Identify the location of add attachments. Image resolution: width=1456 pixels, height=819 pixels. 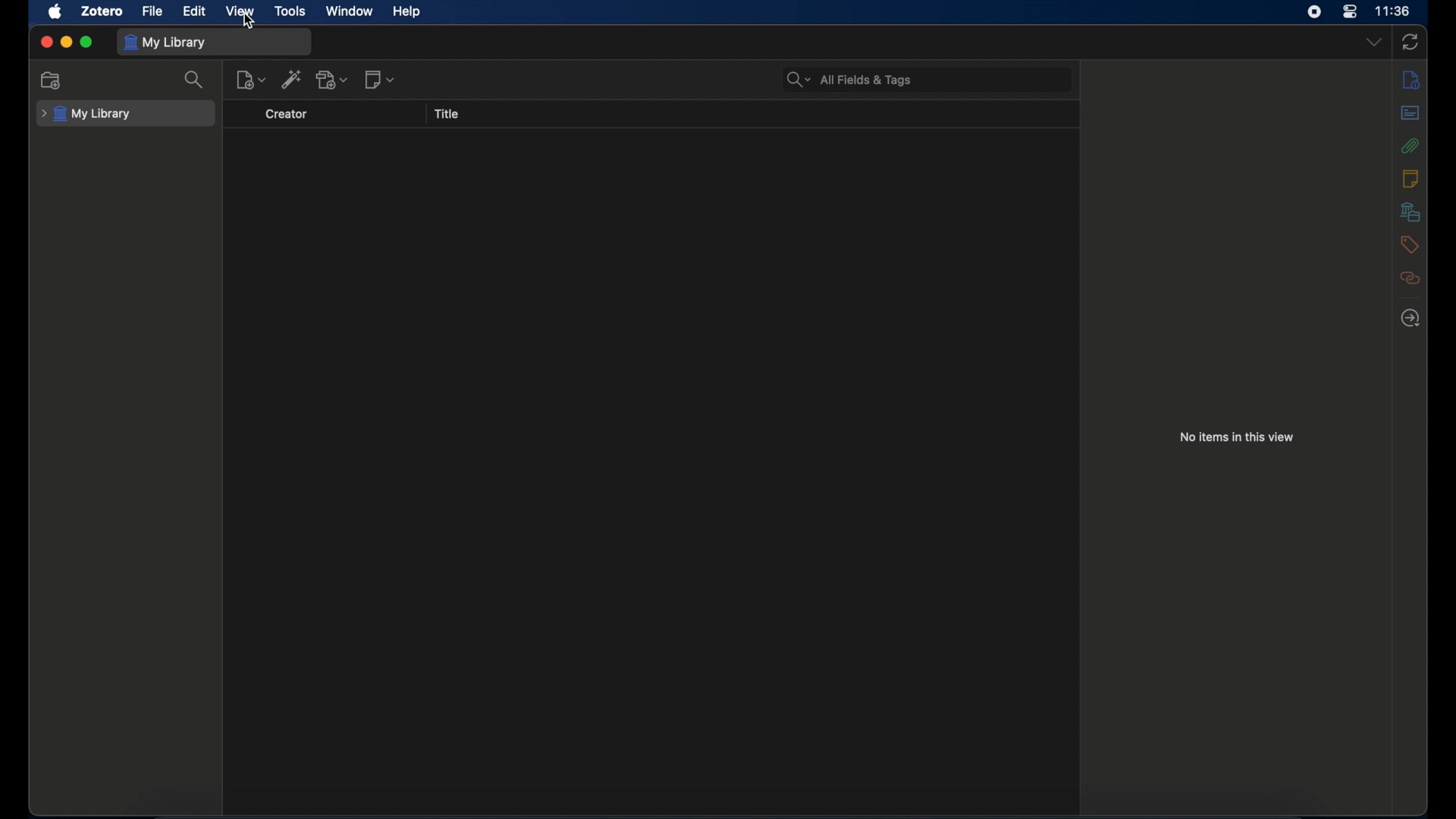
(333, 80).